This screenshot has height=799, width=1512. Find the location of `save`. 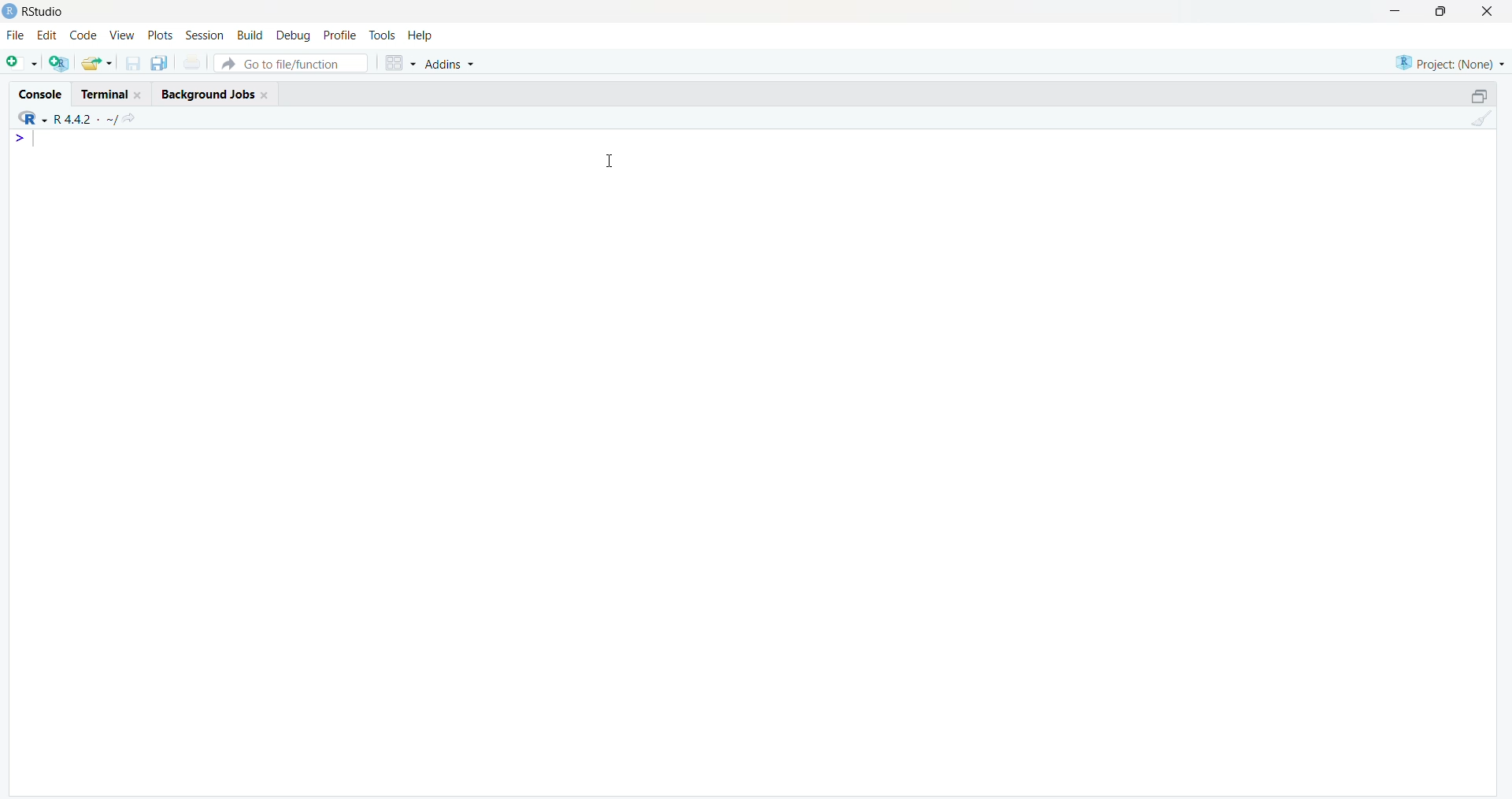

save is located at coordinates (135, 63).